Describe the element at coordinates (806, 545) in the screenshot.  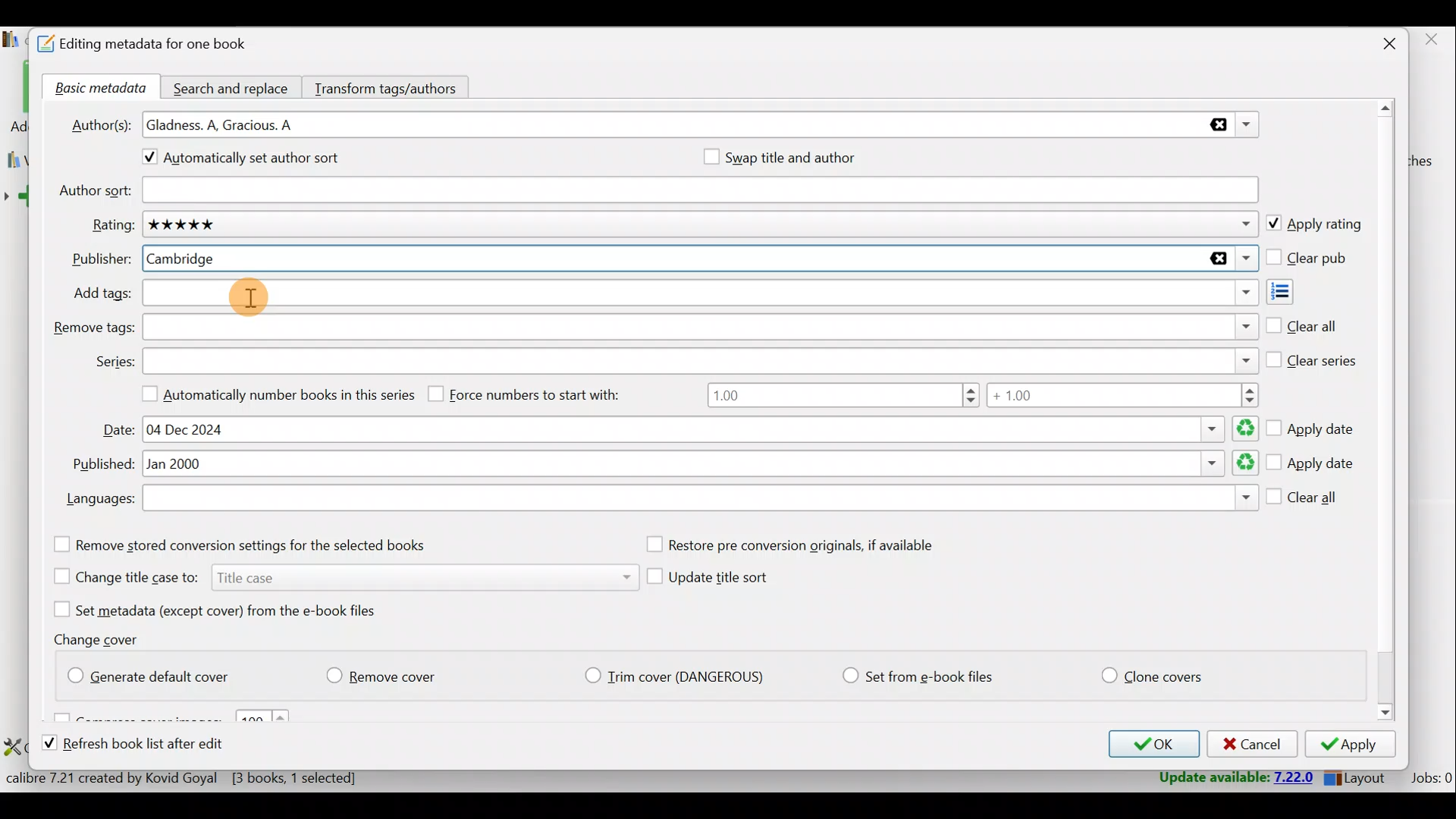
I see `Restore pre conversion originals, if available` at that location.